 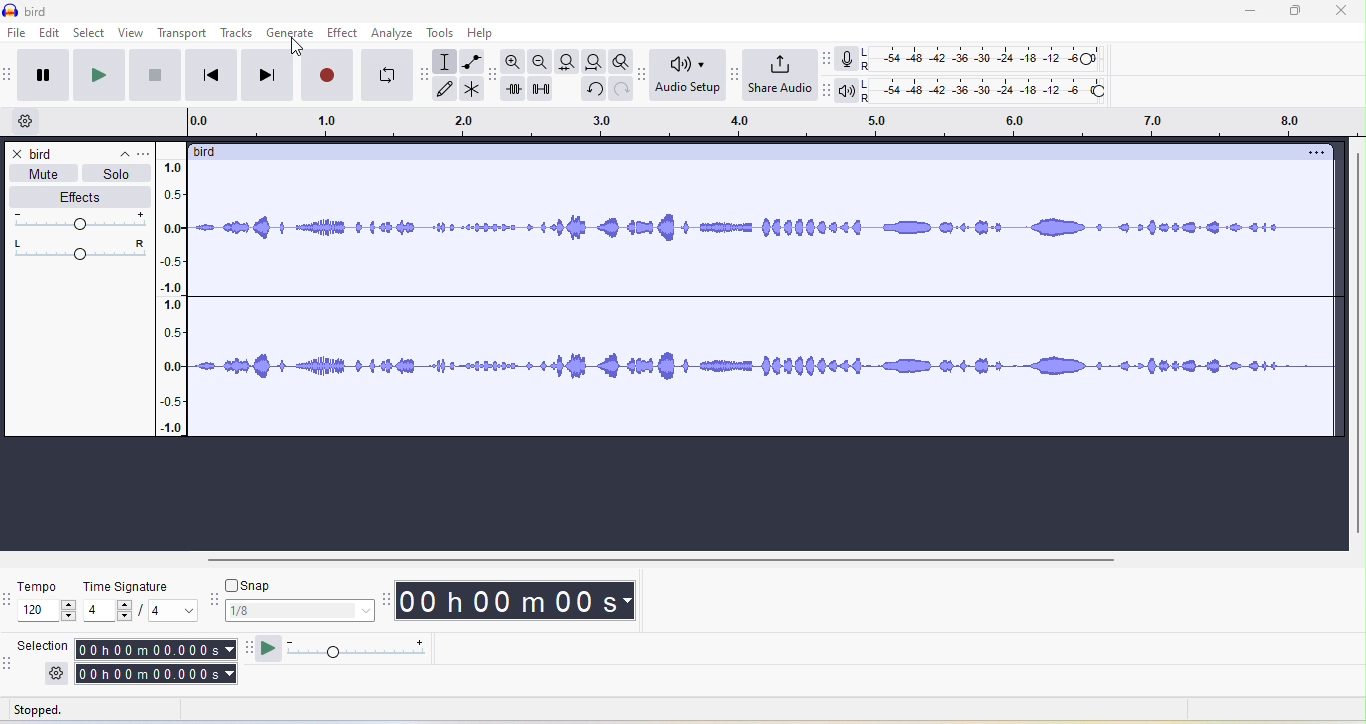 I want to click on timeline option, so click(x=25, y=123).